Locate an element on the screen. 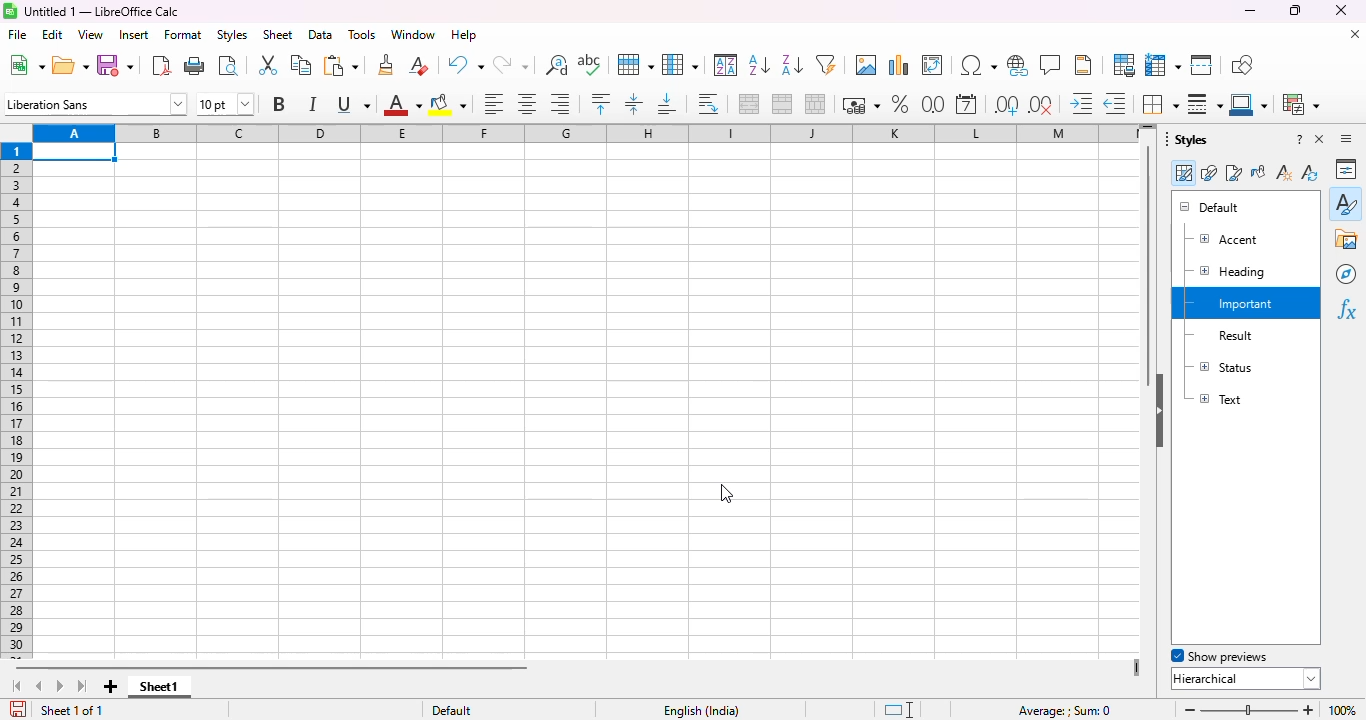 The width and height of the screenshot is (1366, 720). sheet is located at coordinates (277, 35).